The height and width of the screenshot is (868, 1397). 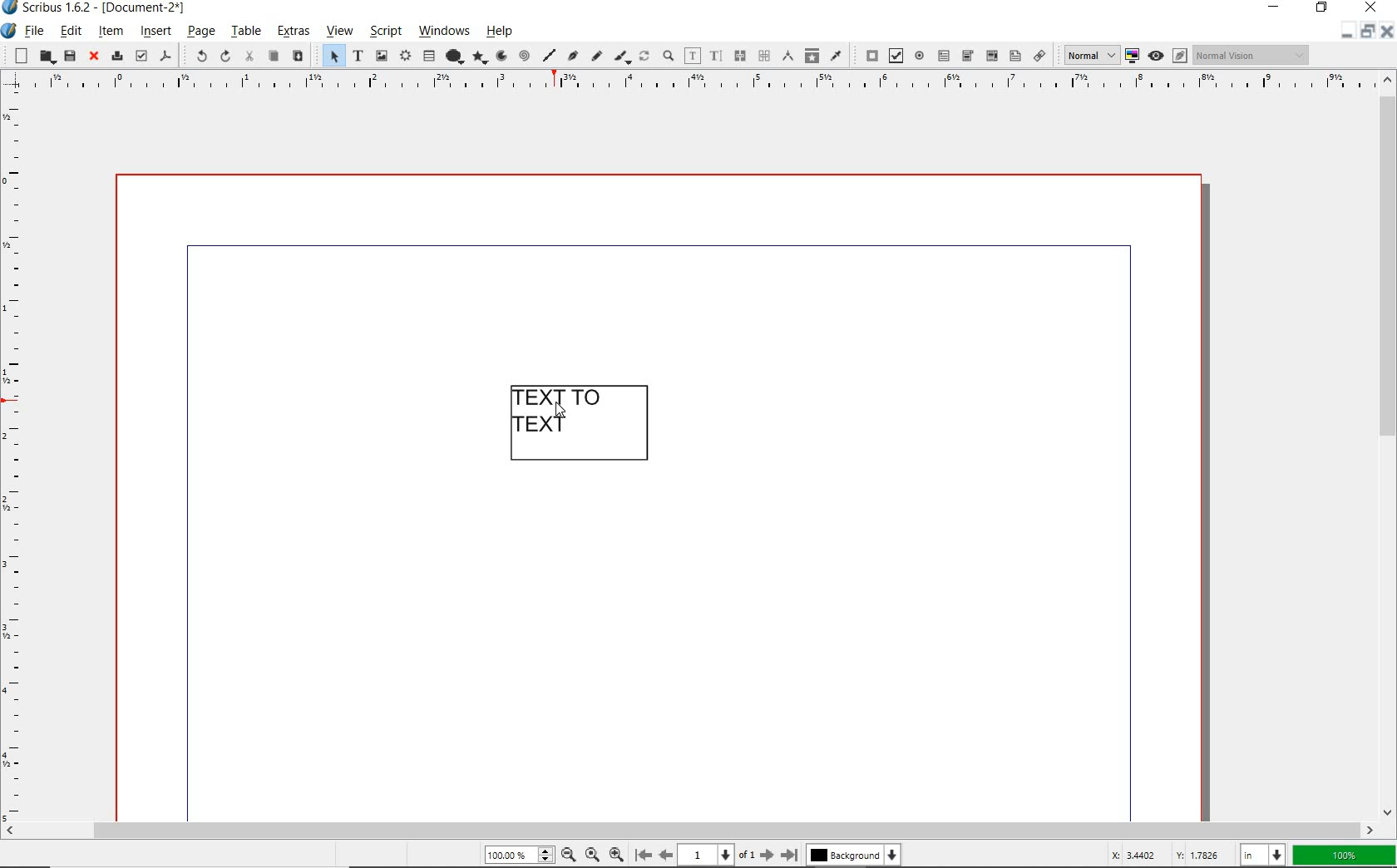 I want to click on edit contents of frame, so click(x=693, y=55).